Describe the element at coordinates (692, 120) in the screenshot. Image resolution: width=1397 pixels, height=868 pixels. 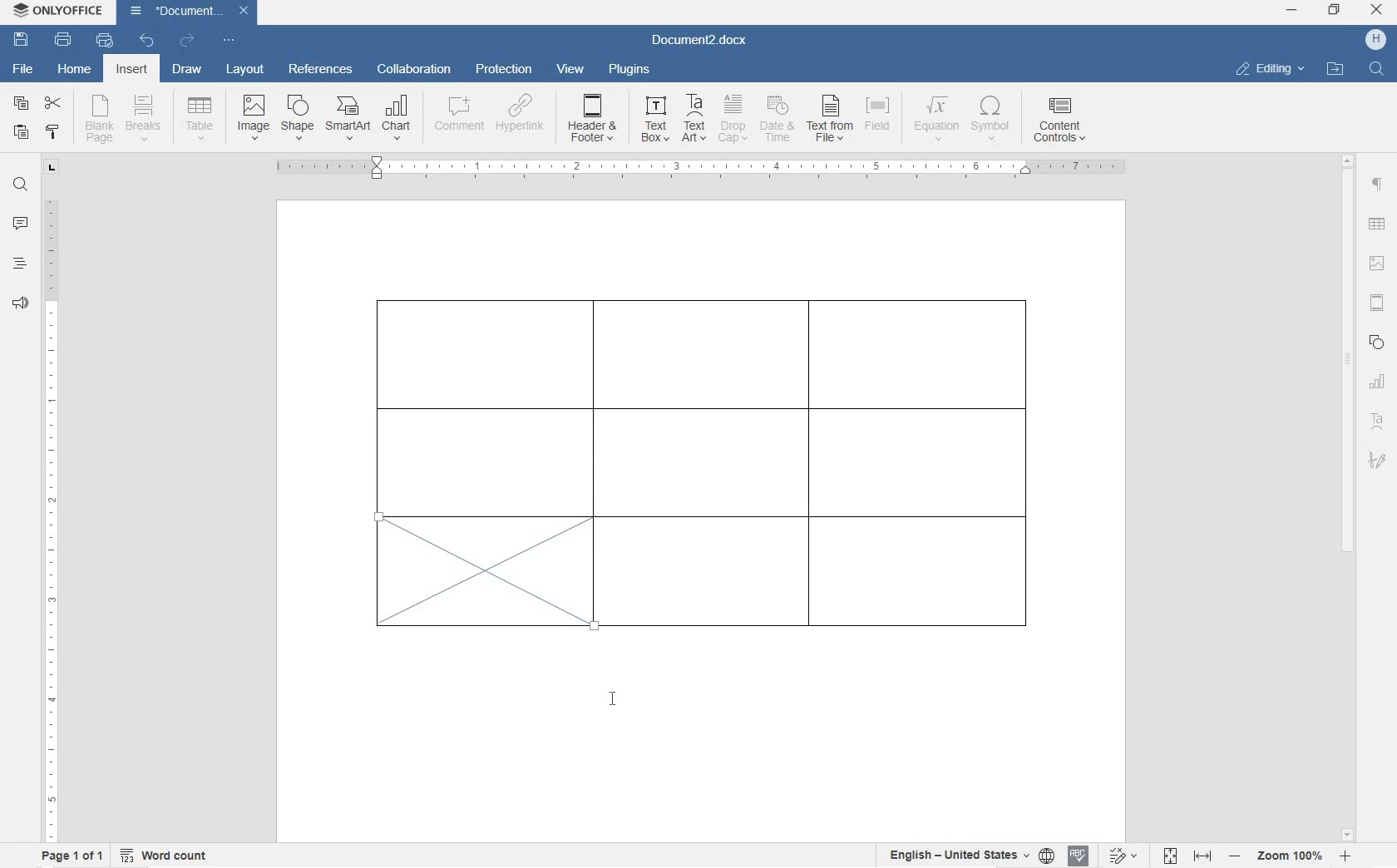
I see `TEXT ART` at that location.